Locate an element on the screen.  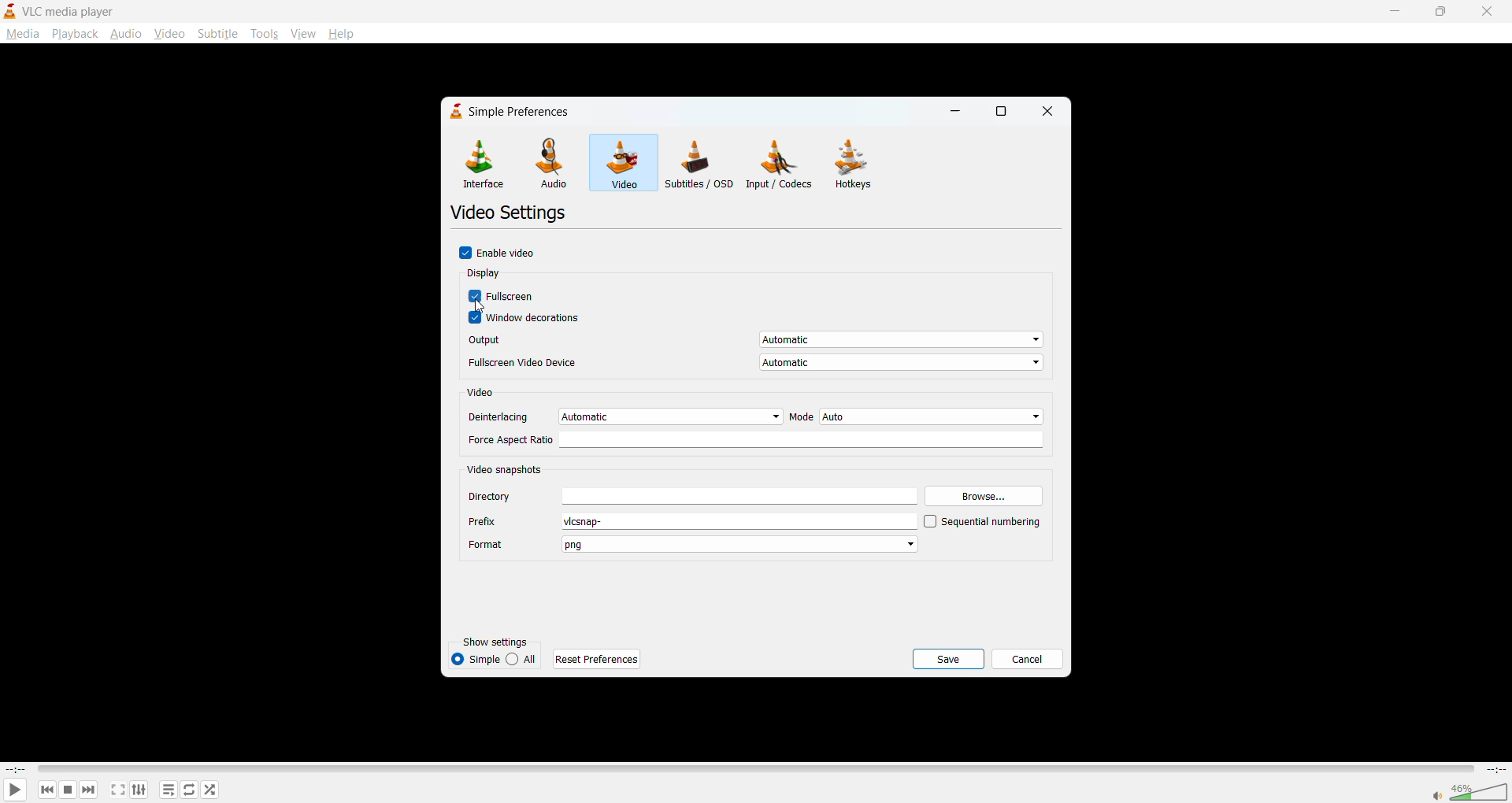
cancel is located at coordinates (1026, 657).